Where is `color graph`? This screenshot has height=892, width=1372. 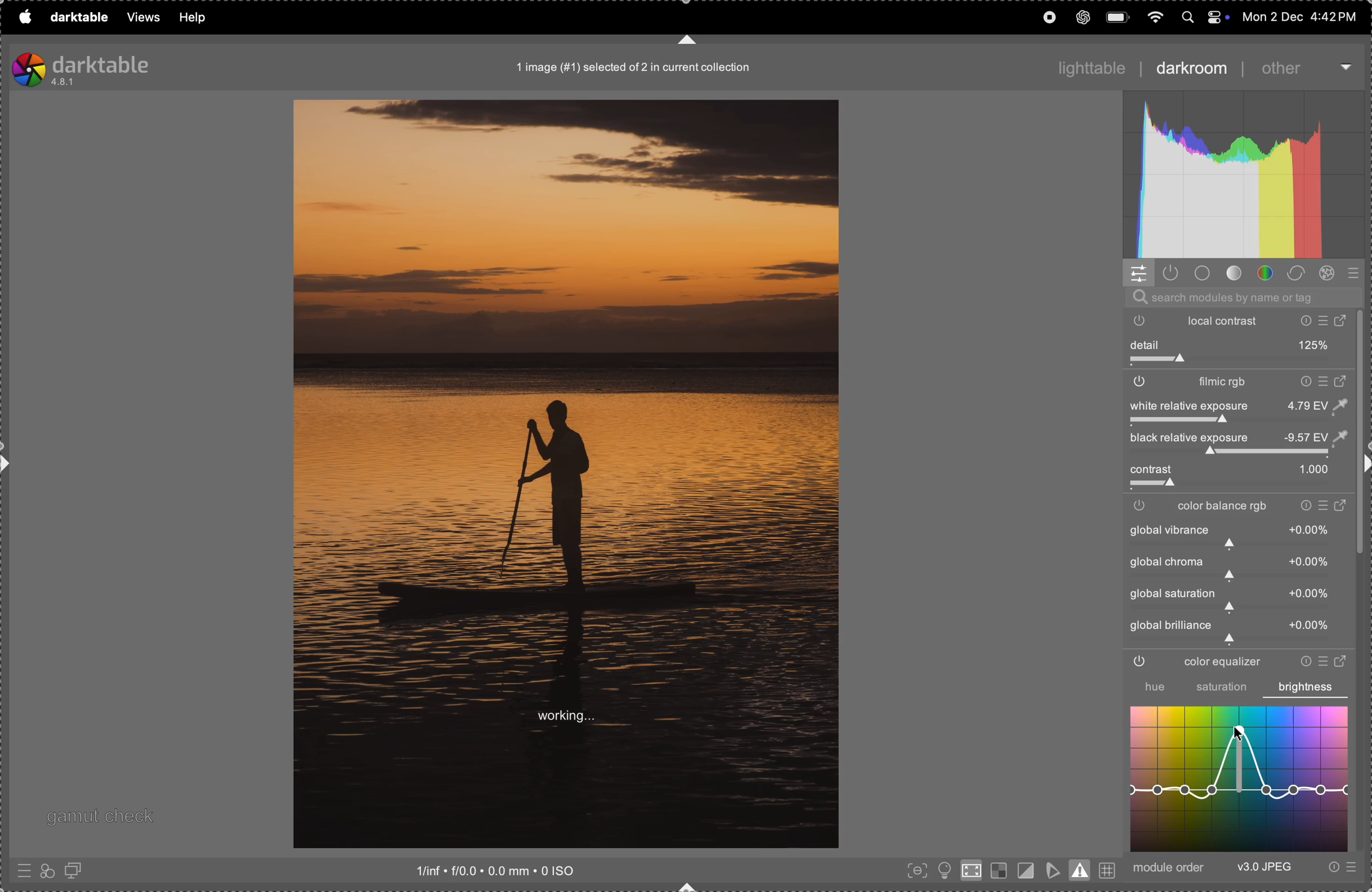
color graph is located at coordinates (1241, 780).